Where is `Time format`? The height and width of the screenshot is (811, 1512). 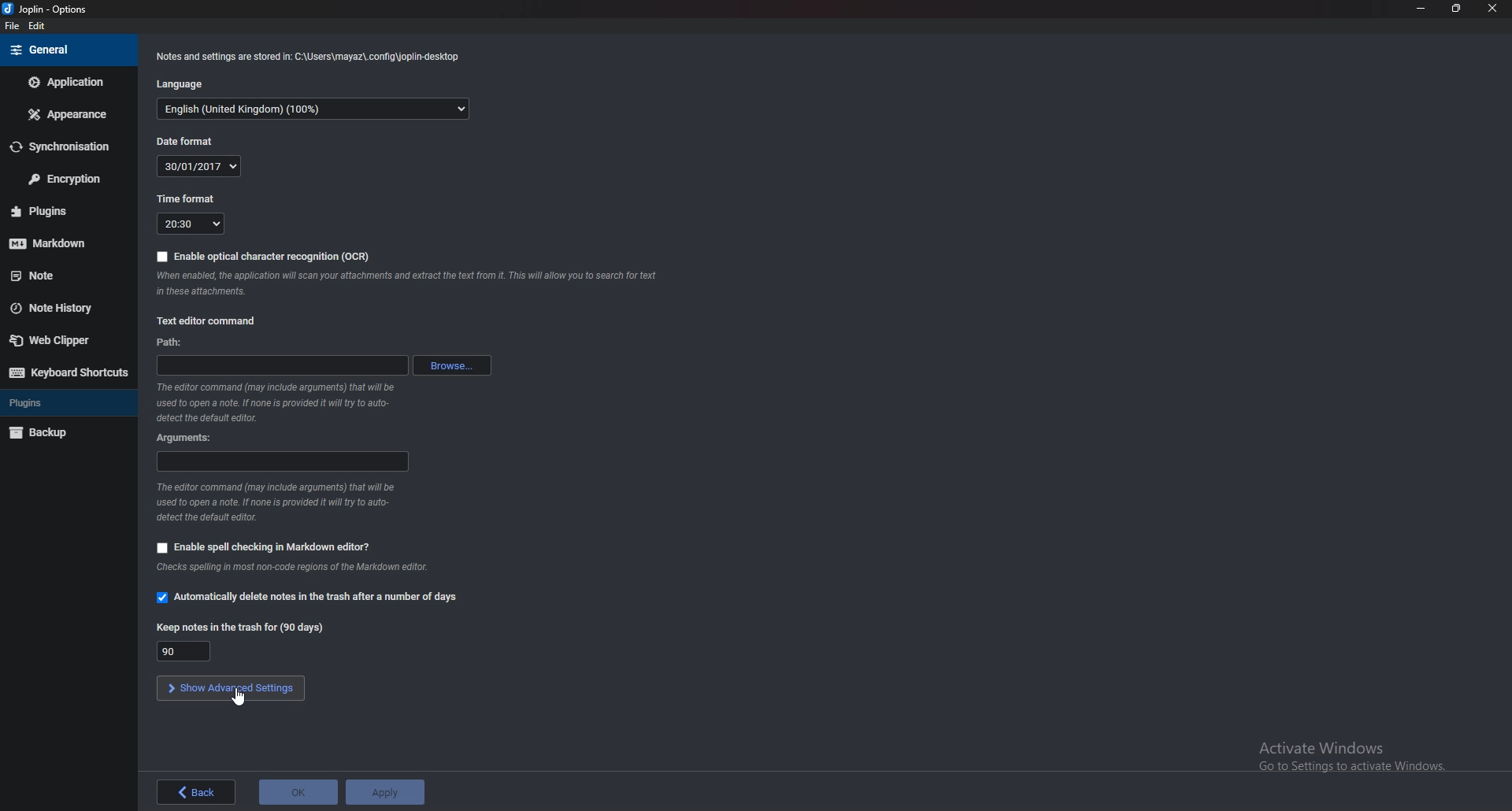
Time format is located at coordinates (186, 199).